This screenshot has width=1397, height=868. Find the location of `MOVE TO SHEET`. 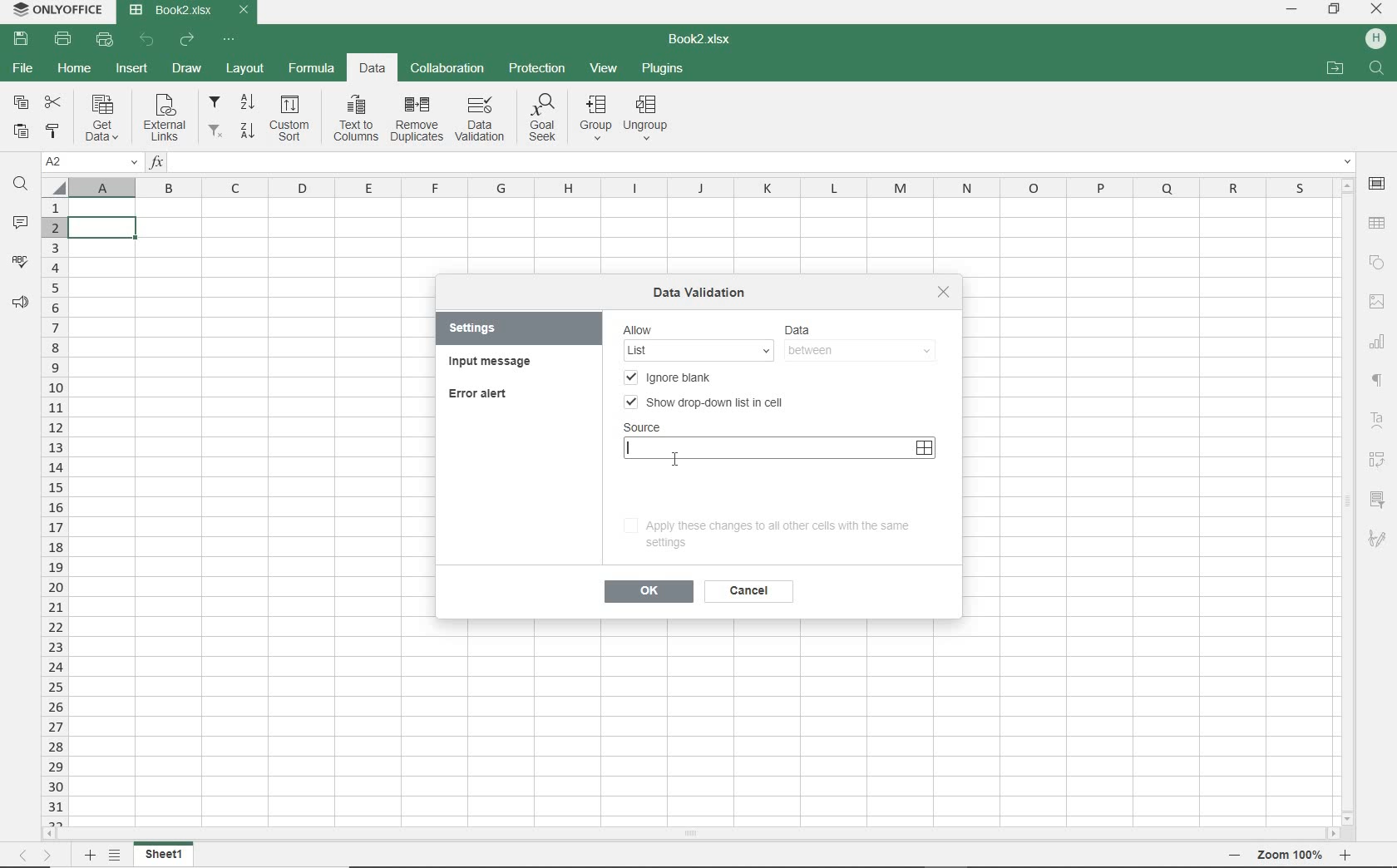

MOVE TO SHEET is located at coordinates (32, 857).